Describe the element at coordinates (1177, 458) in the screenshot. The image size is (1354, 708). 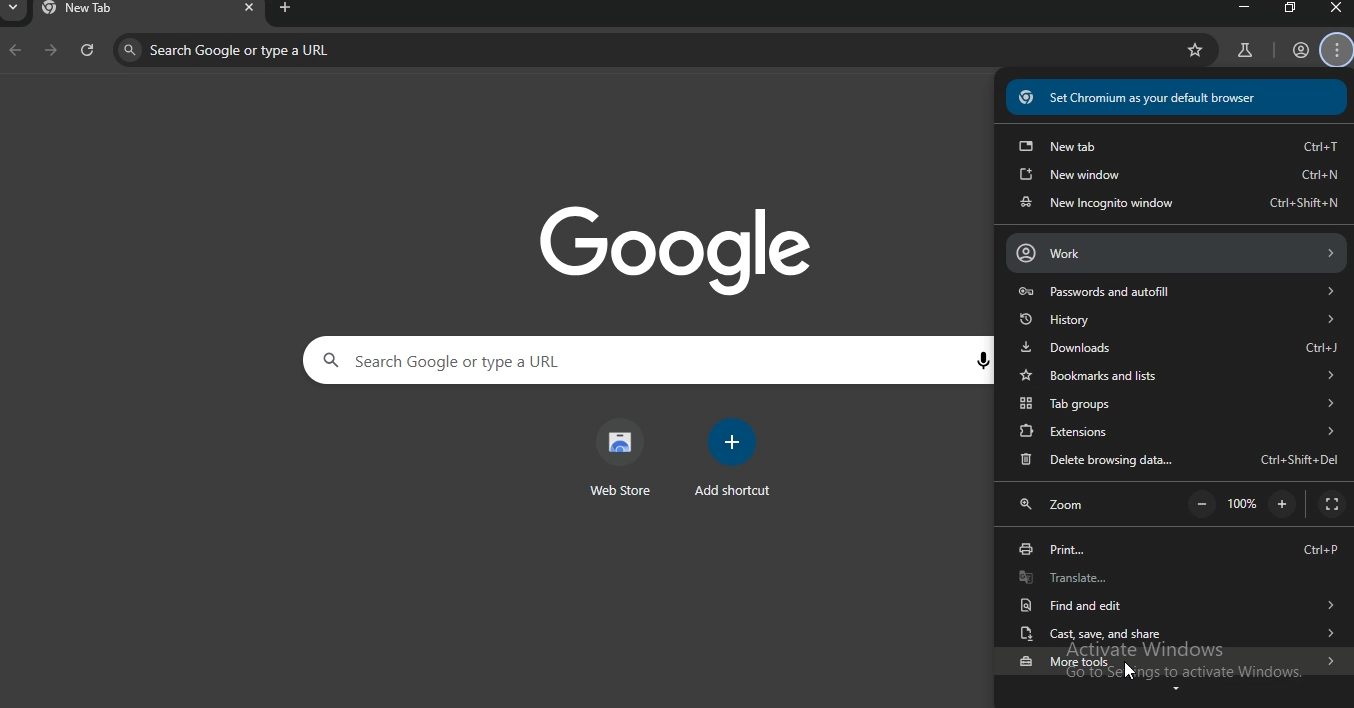
I see `delete browsing data` at that location.